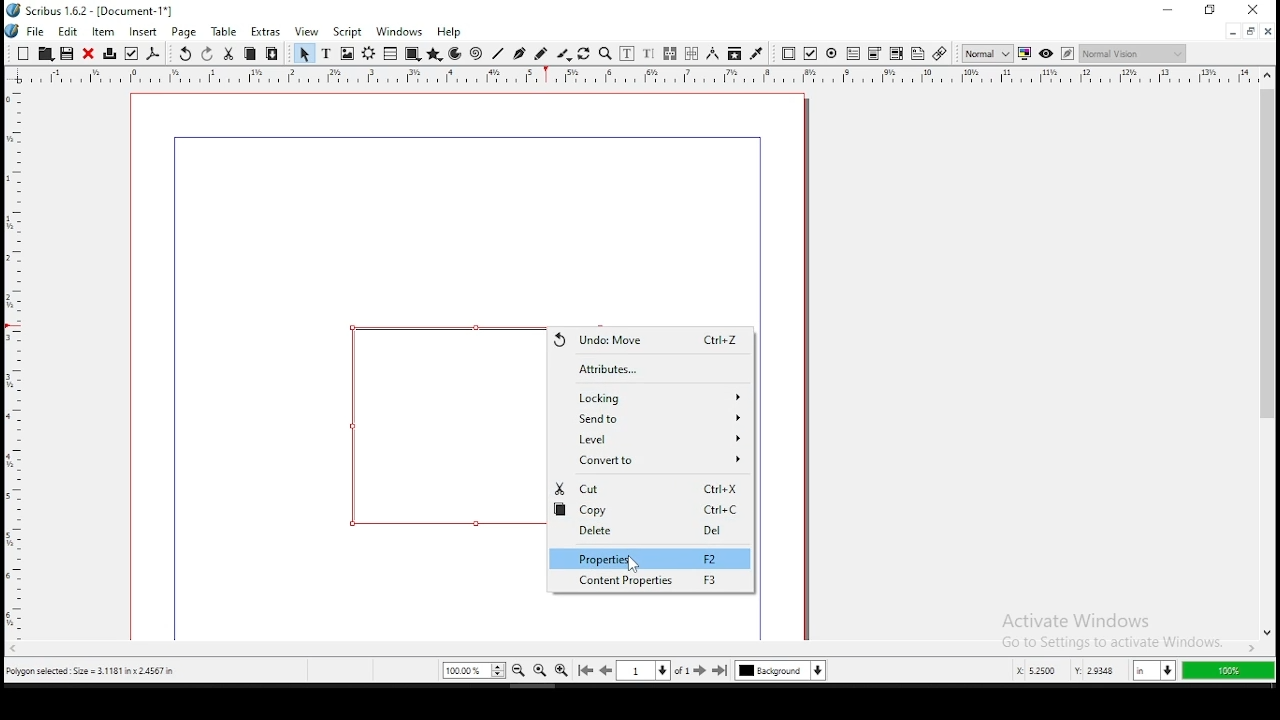 The image size is (1280, 720). I want to click on redo, so click(207, 54).